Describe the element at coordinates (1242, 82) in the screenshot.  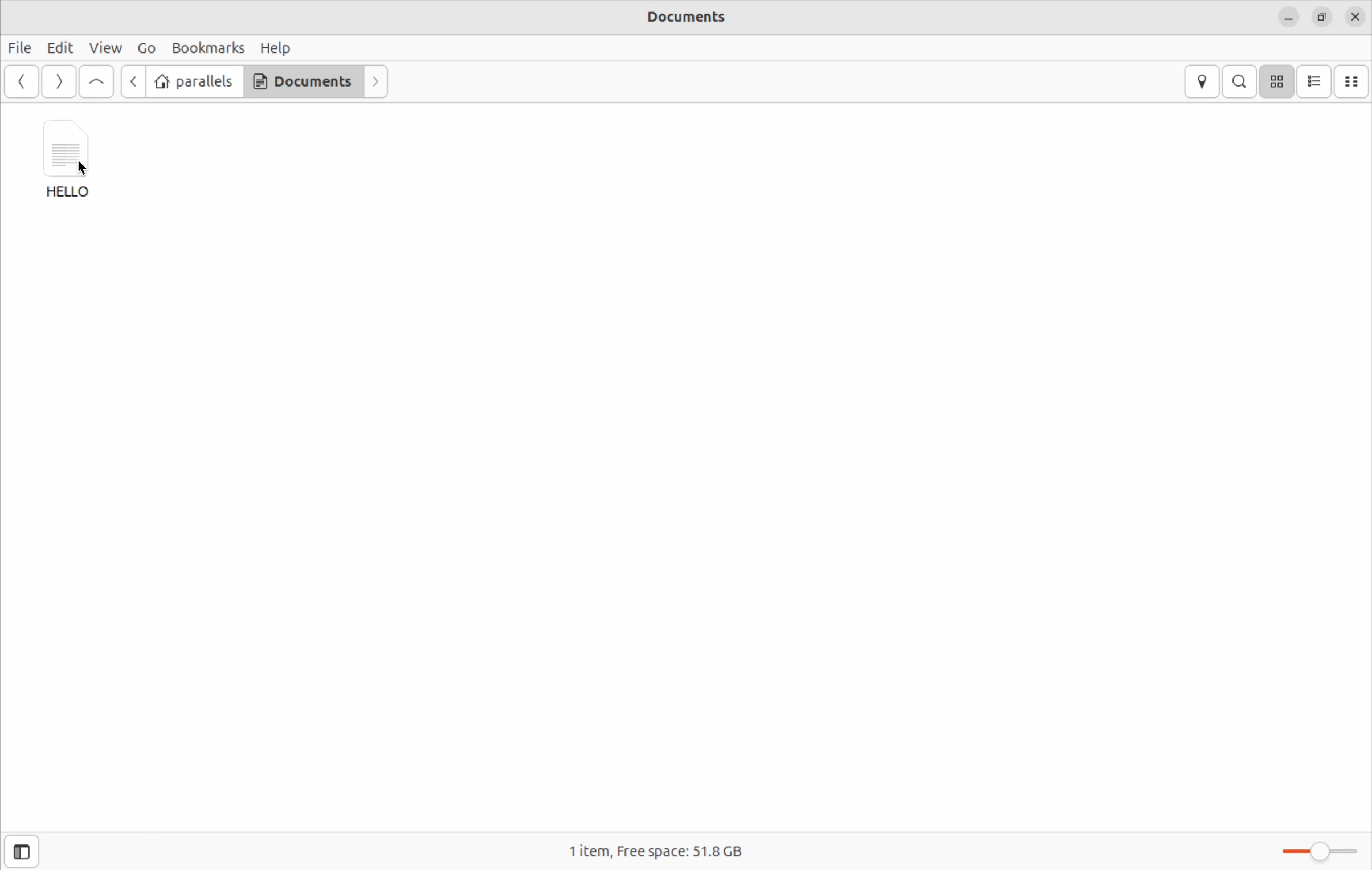
I see `Search` at that location.